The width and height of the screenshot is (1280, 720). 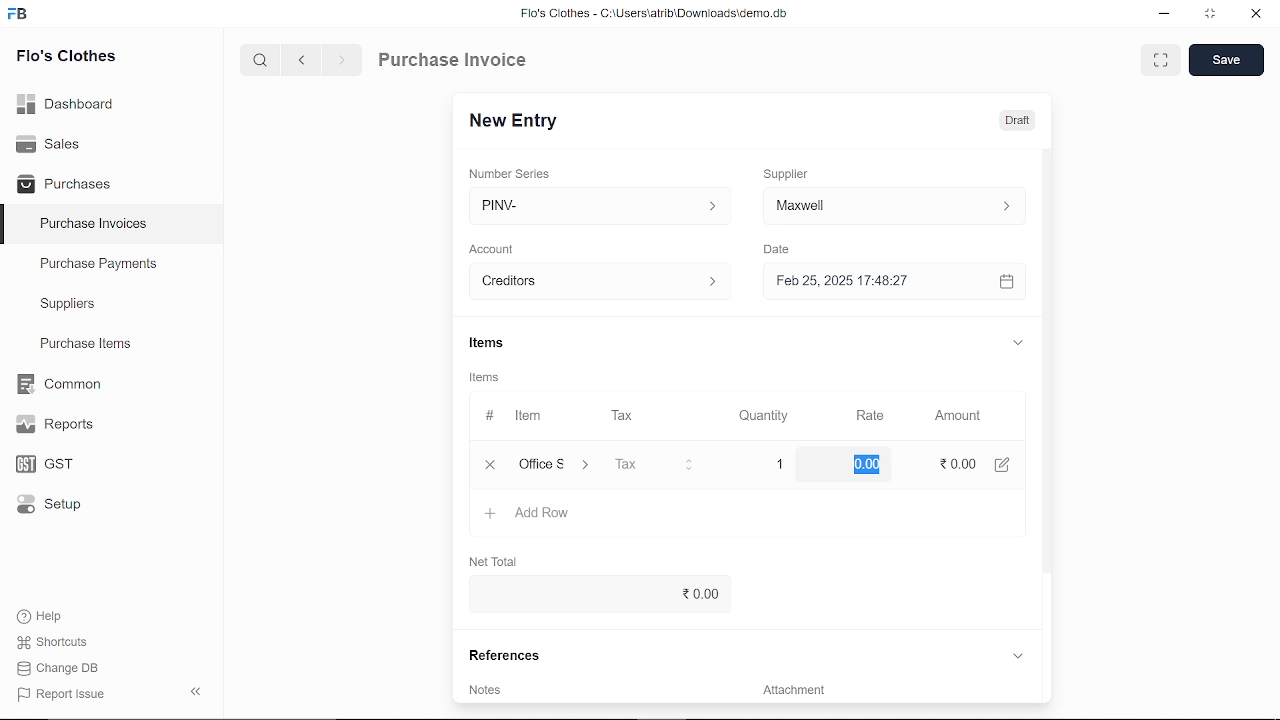 I want to click on Change DB, so click(x=58, y=670).